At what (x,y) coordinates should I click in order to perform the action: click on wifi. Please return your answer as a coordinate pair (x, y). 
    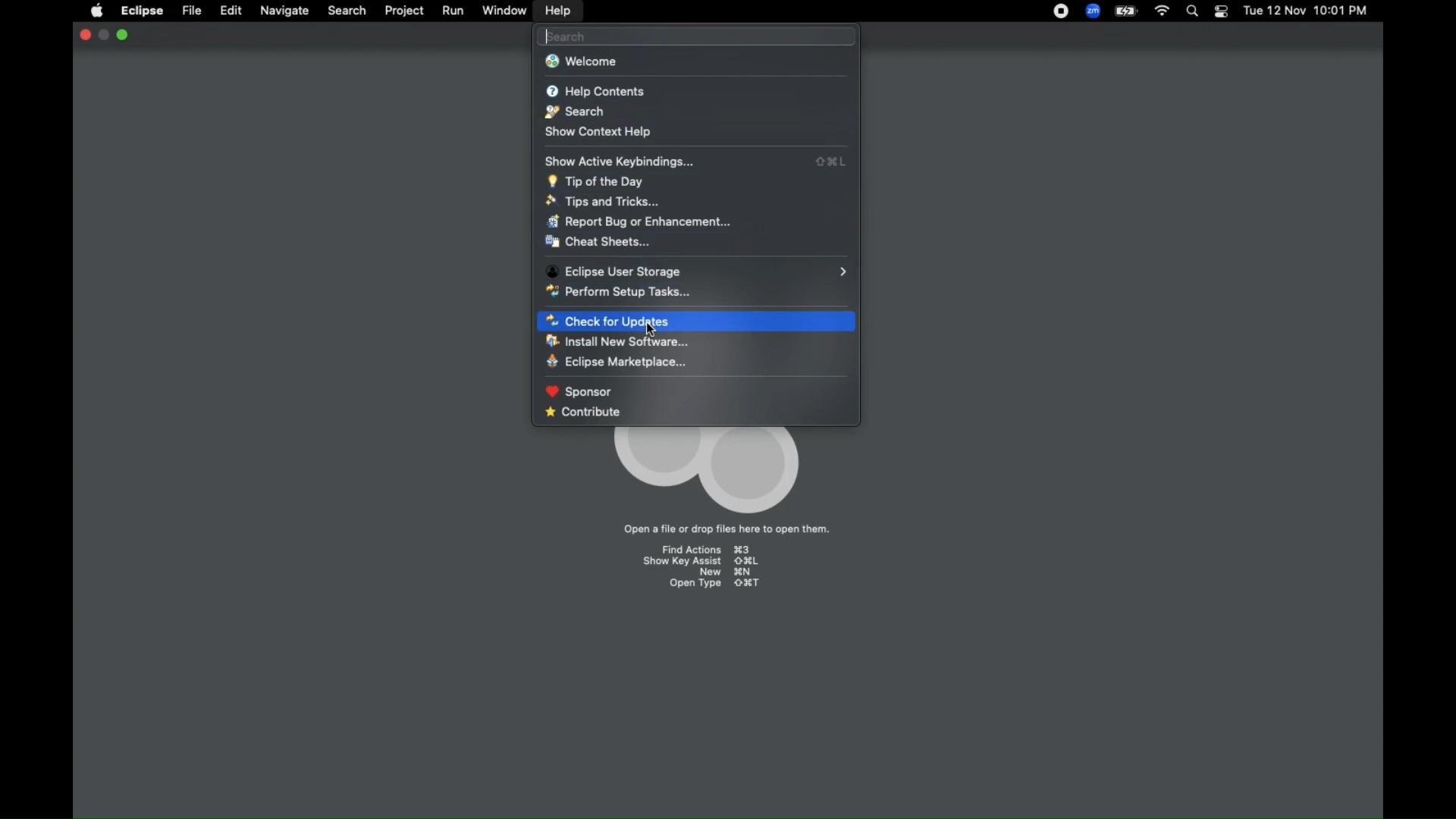
    Looking at the image, I should click on (1160, 11).